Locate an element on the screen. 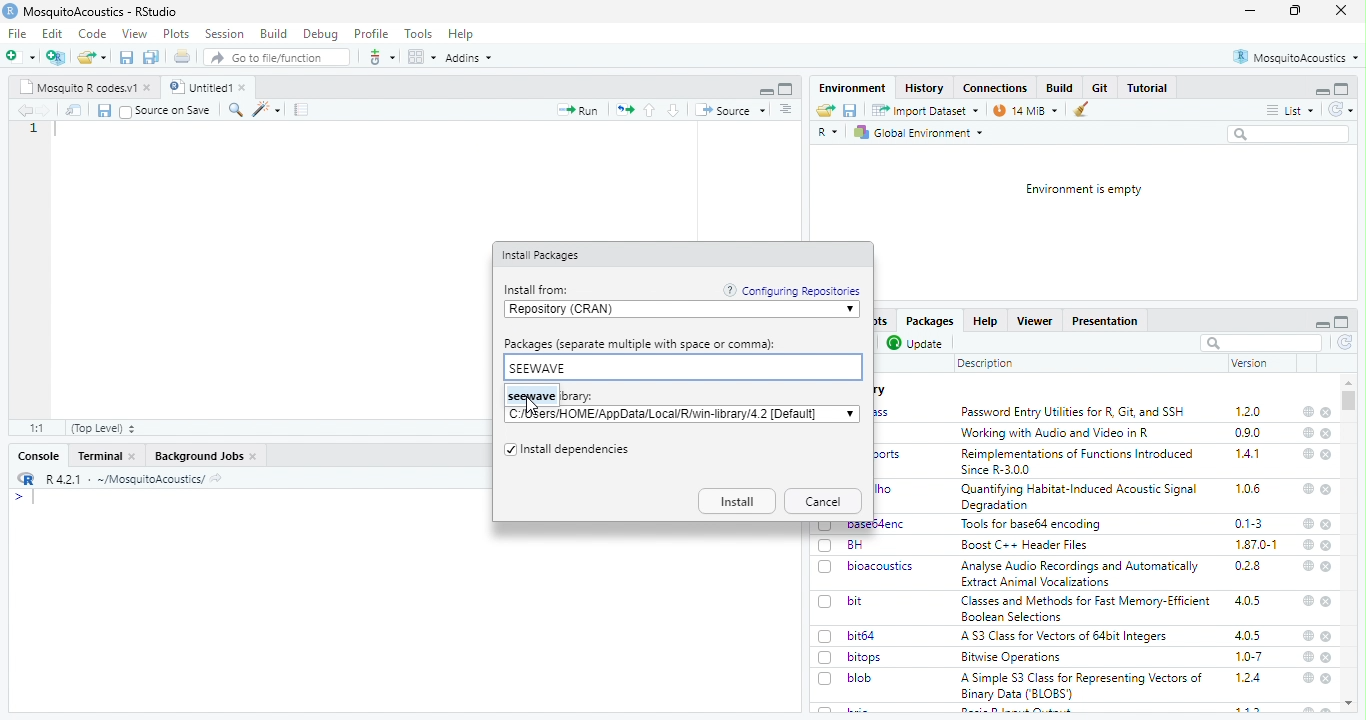  web is located at coordinates (1310, 489).